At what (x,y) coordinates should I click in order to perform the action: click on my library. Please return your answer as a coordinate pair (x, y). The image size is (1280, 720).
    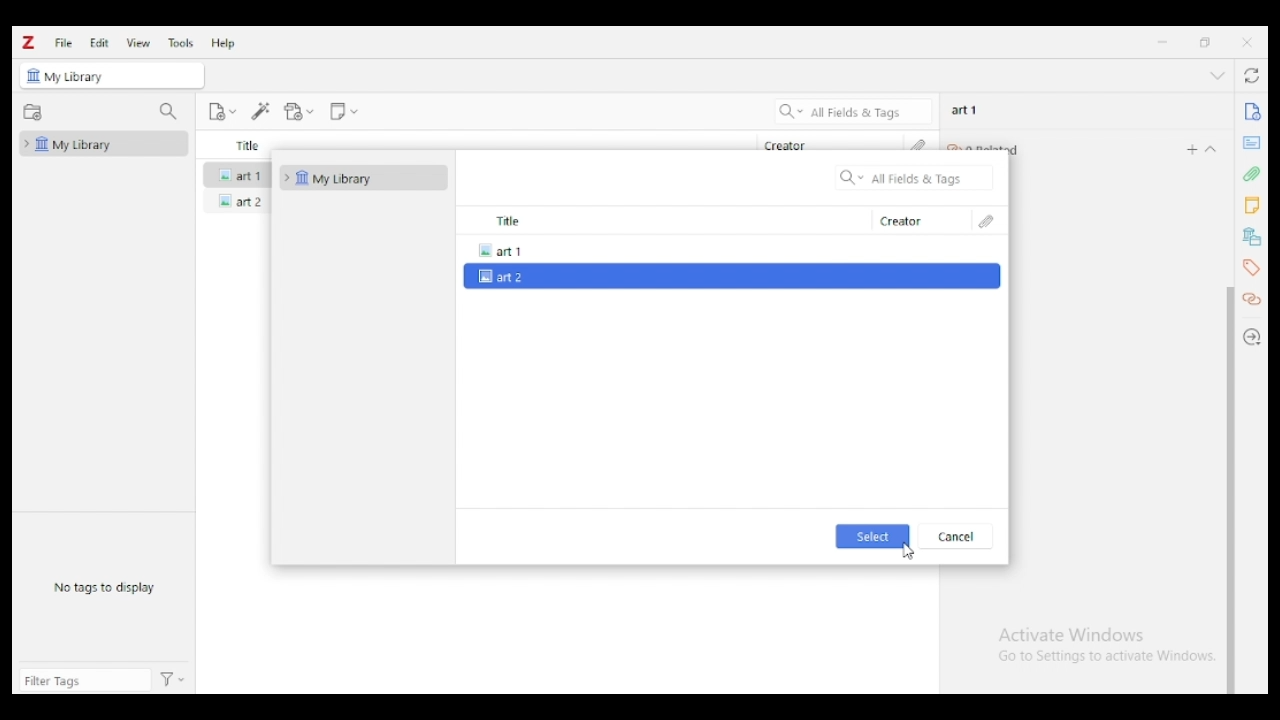
    Looking at the image, I should click on (82, 78).